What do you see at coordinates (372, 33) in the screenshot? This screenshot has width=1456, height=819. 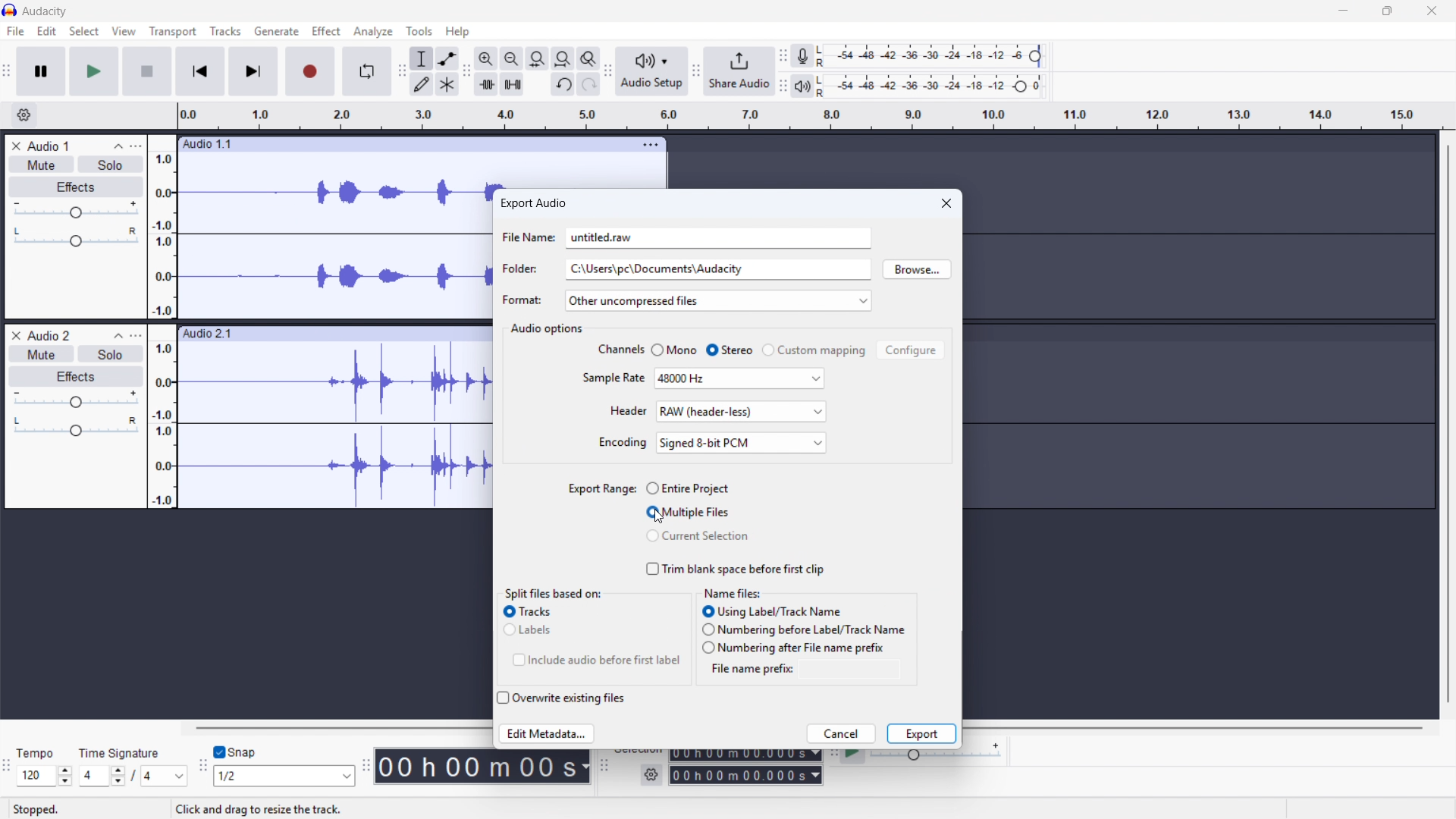 I see `Analyse ` at bounding box center [372, 33].